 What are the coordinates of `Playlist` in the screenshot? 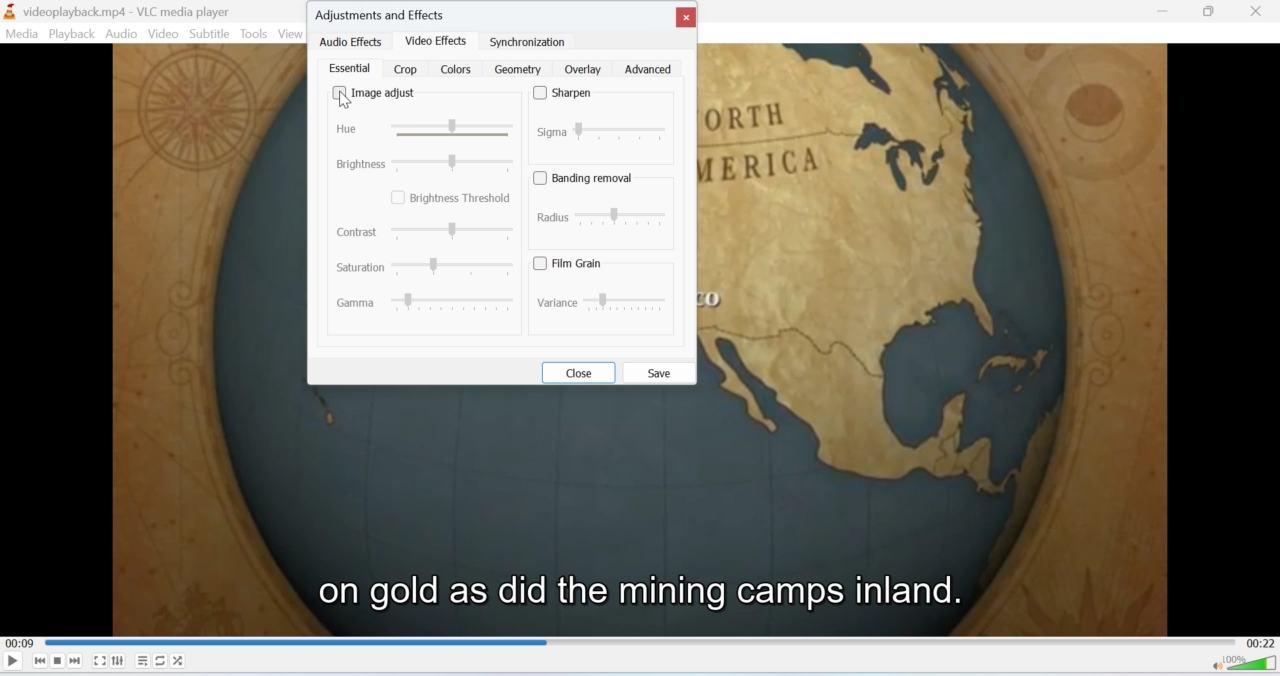 It's located at (142, 660).